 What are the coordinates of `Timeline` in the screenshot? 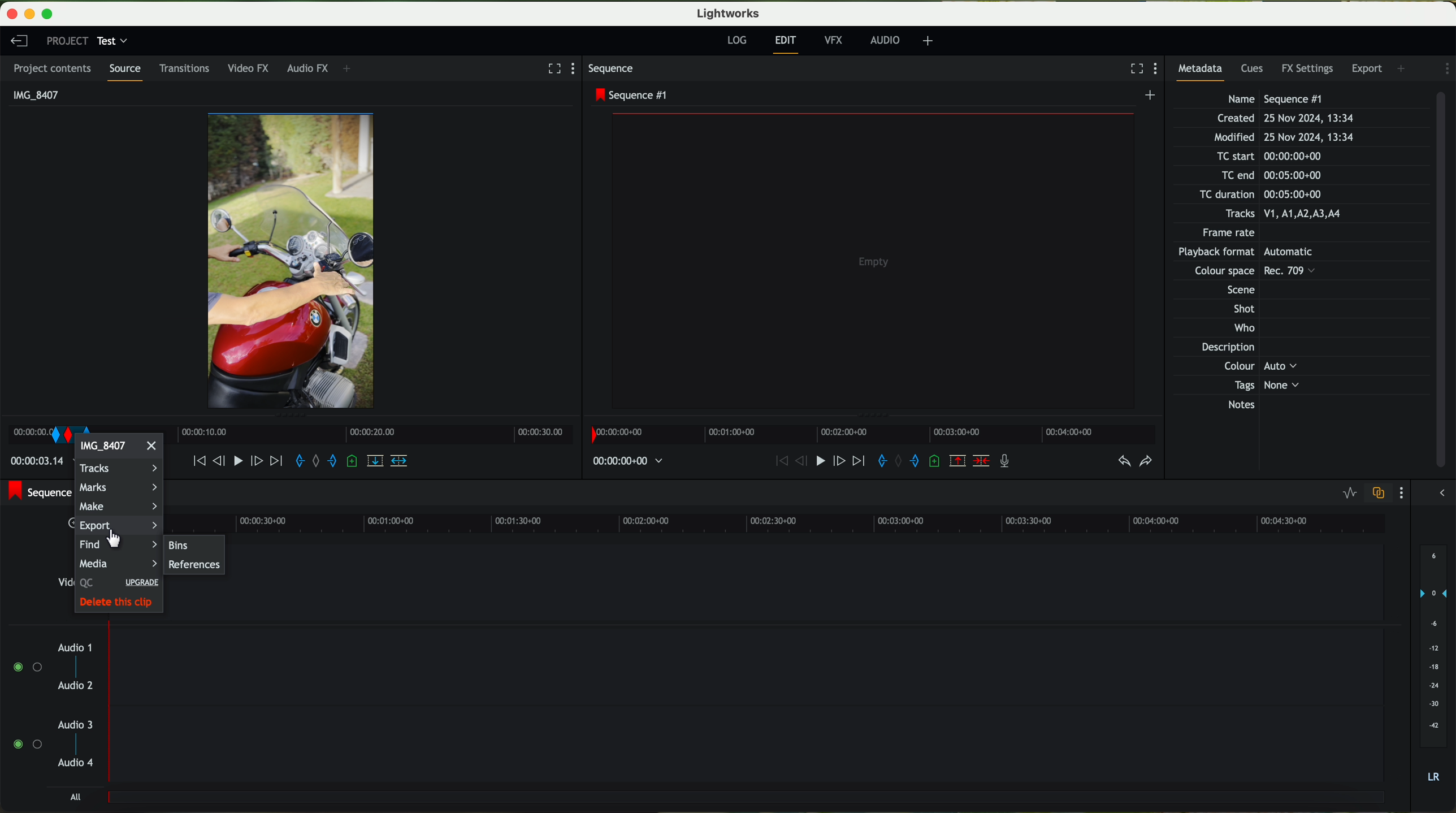 It's located at (367, 433).